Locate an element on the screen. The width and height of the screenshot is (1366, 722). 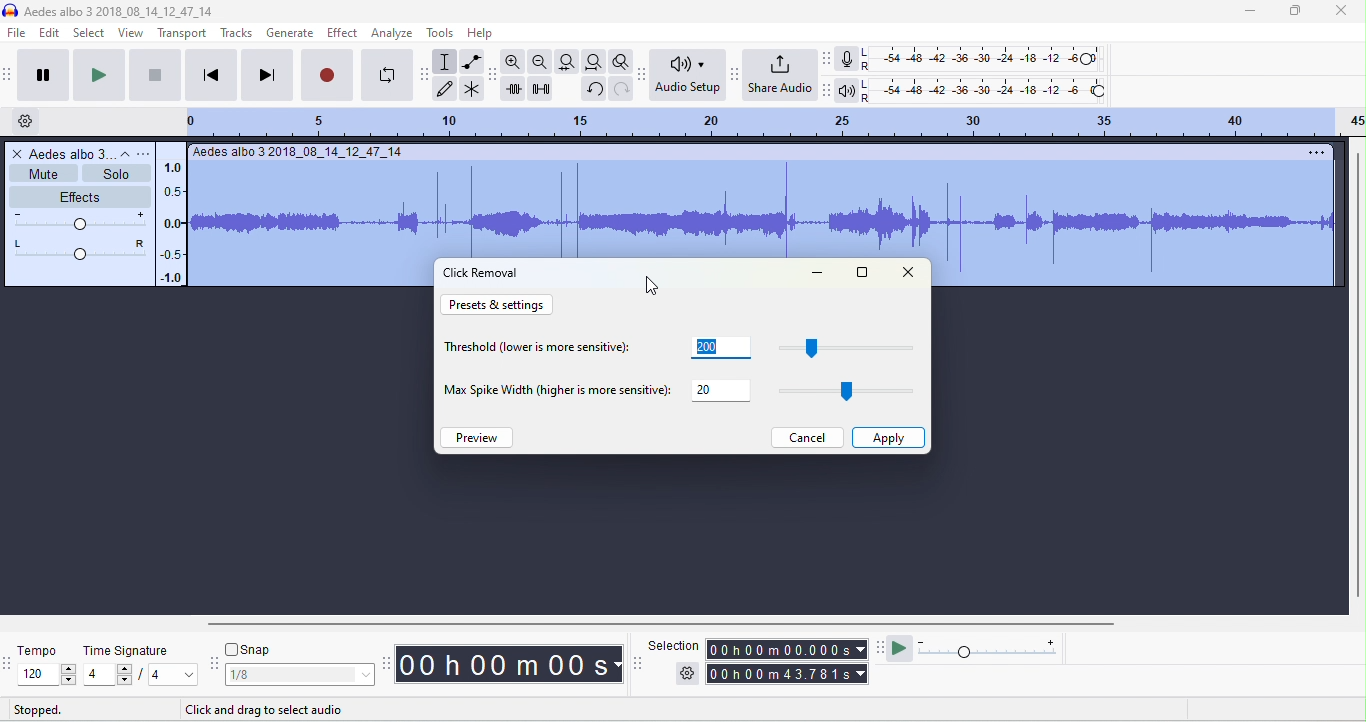
total time is located at coordinates (785, 674).